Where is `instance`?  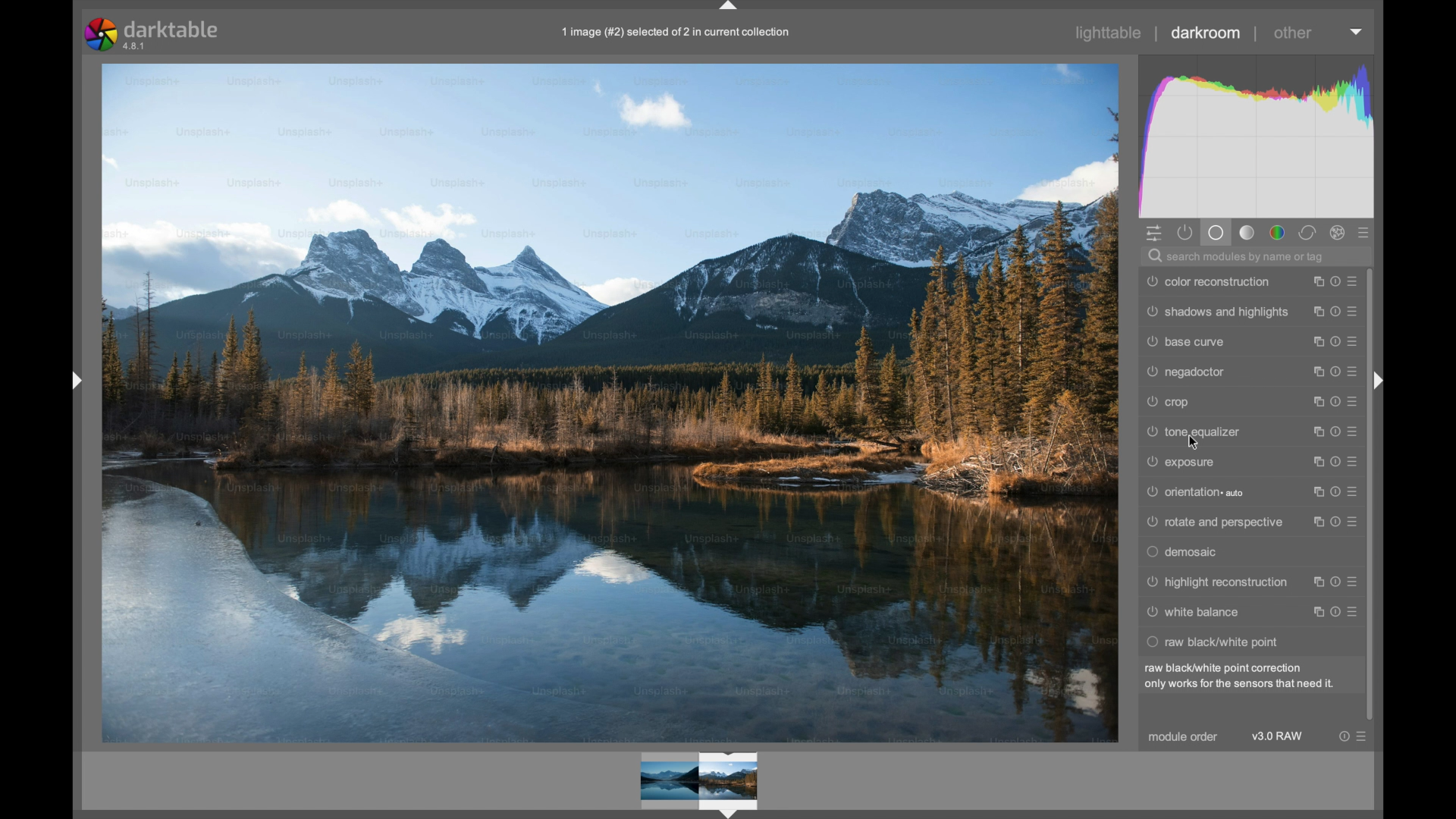
instance is located at coordinates (1315, 431).